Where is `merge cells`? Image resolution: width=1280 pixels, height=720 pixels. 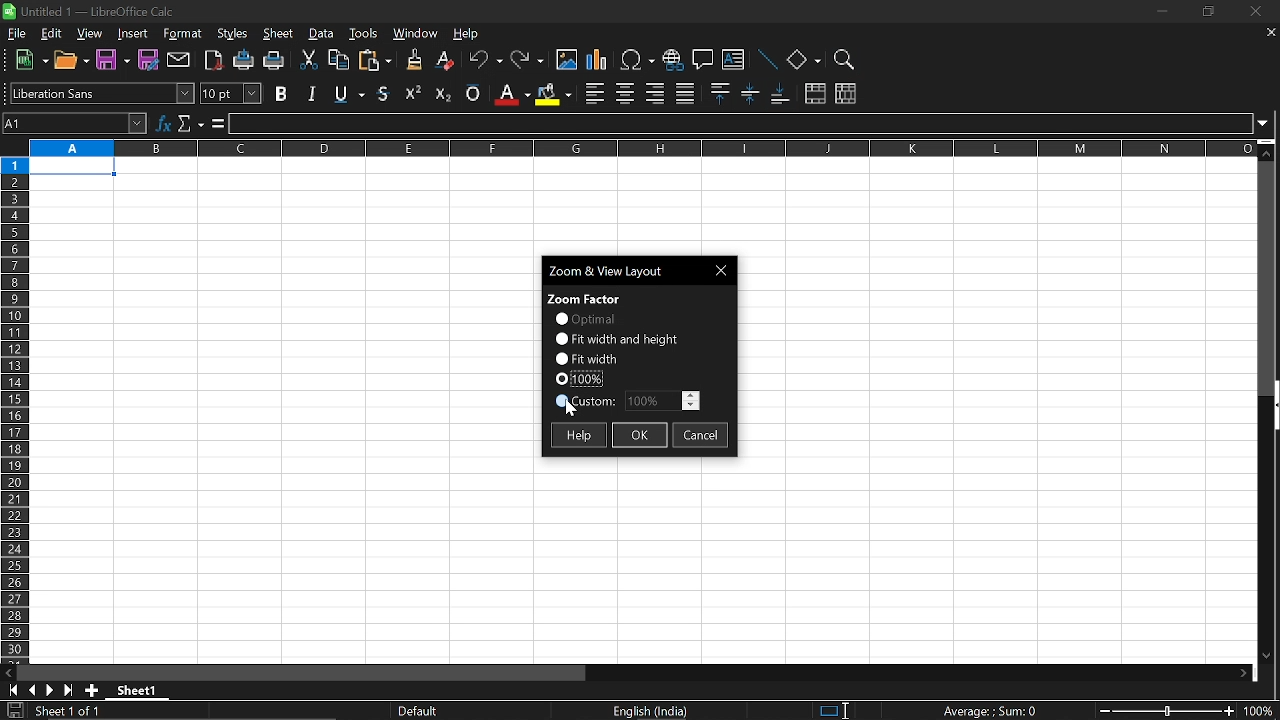
merge cells is located at coordinates (815, 95).